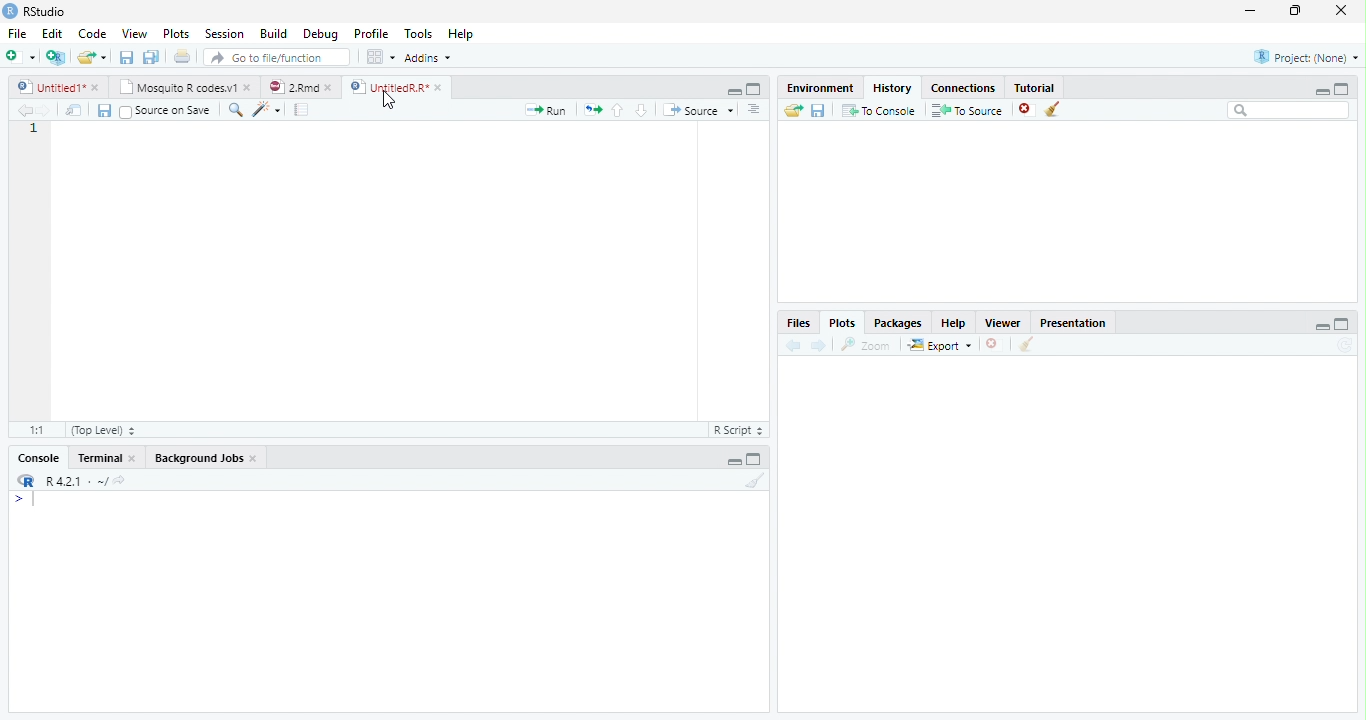  Describe the element at coordinates (1051, 112) in the screenshot. I see `Clear Console` at that location.